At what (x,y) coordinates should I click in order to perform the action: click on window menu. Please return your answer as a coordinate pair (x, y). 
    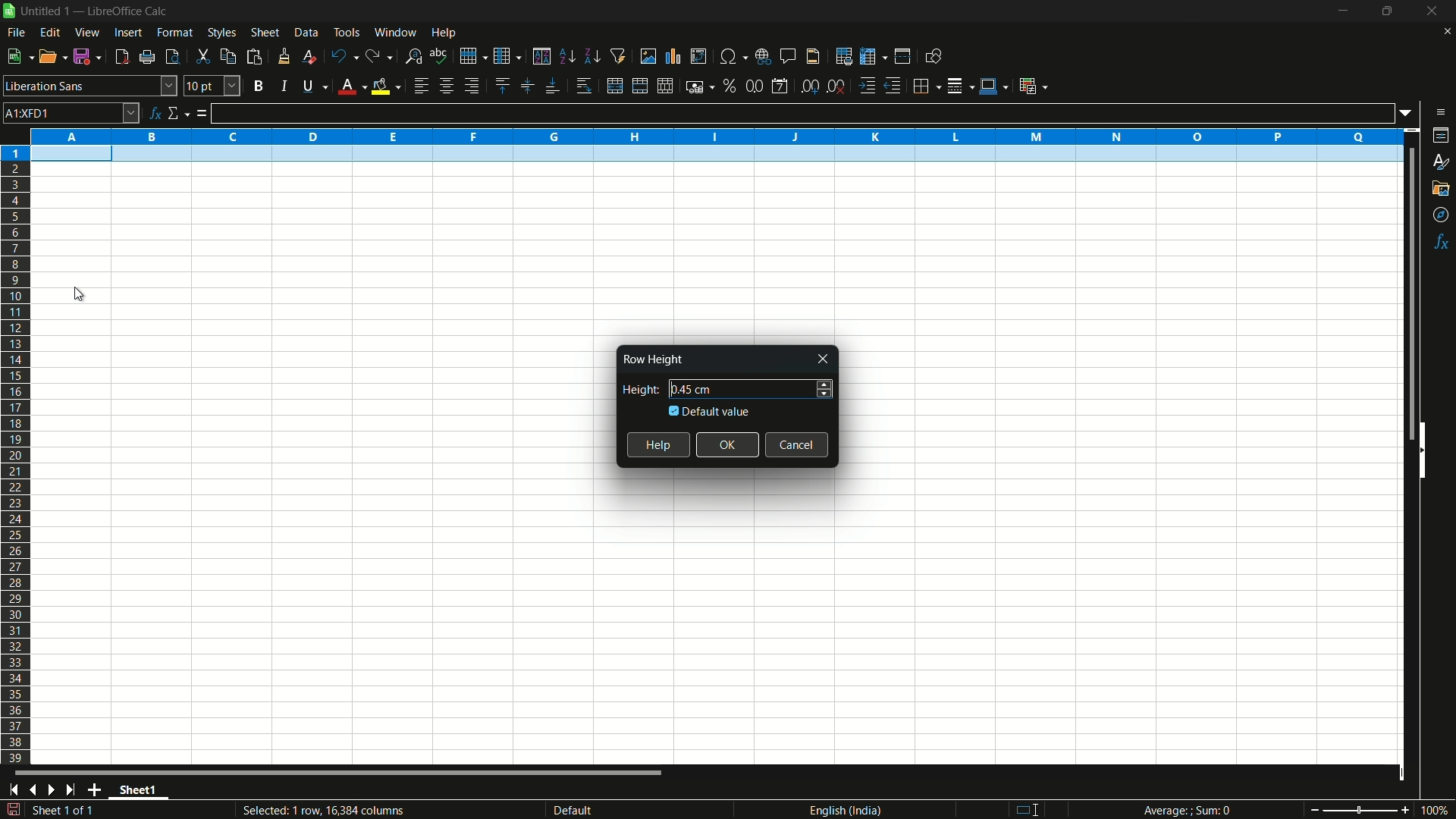
    Looking at the image, I should click on (395, 32).